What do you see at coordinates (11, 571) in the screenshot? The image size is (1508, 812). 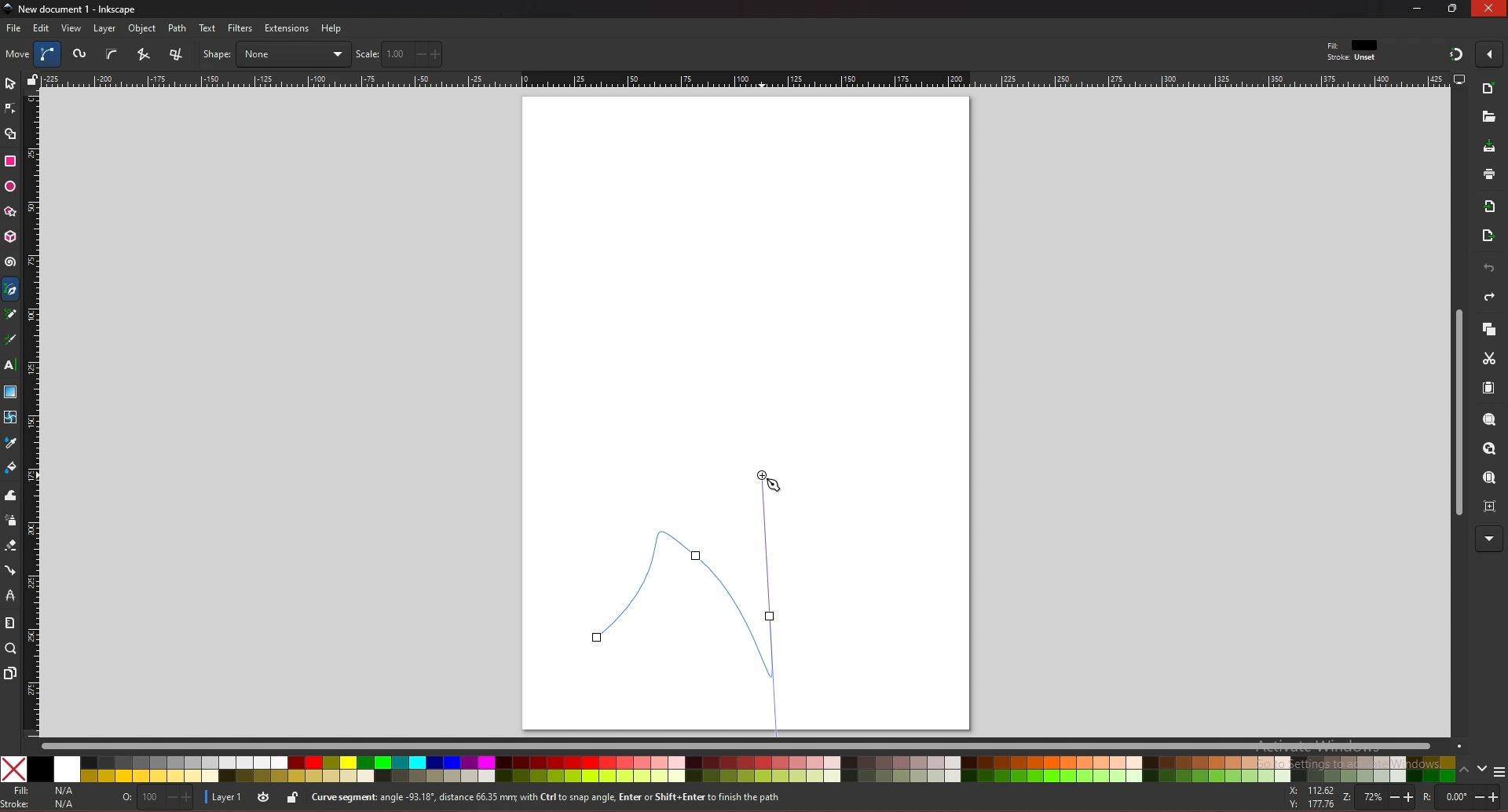 I see `connector` at bounding box center [11, 571].